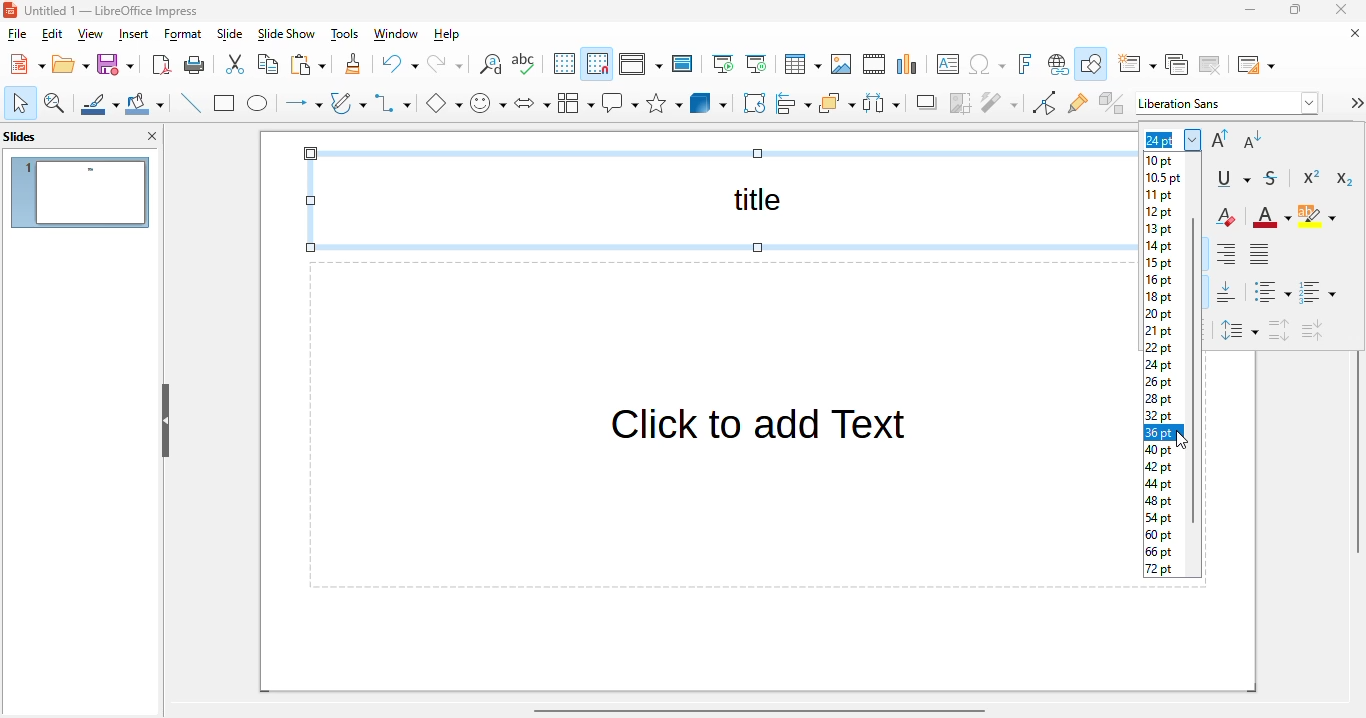 This screenshot has height=718, width=1366. I want to click on settings, so click(1355, 103).